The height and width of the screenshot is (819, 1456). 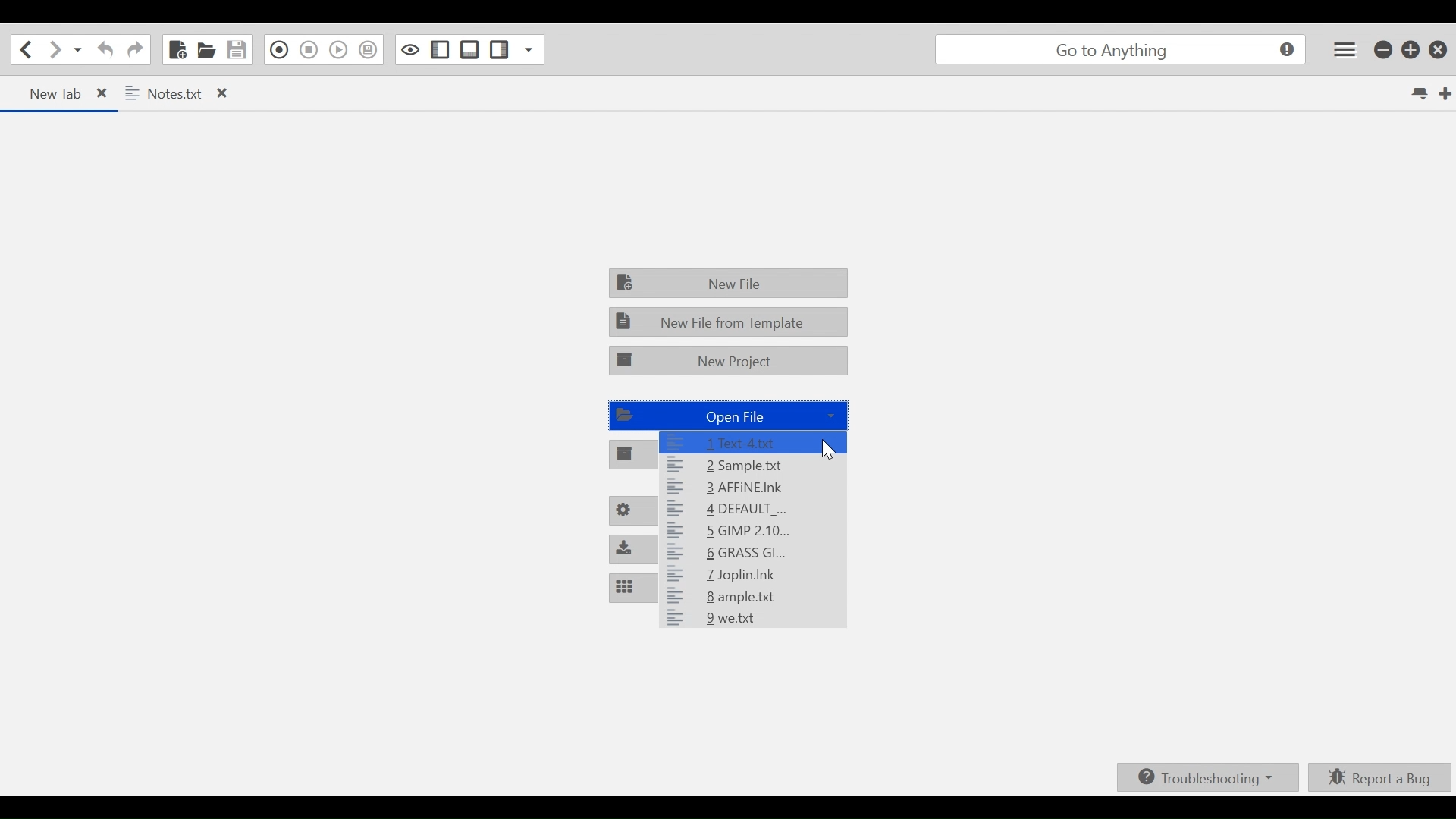 I want to click on minimize, so click(x=1382, y=50).